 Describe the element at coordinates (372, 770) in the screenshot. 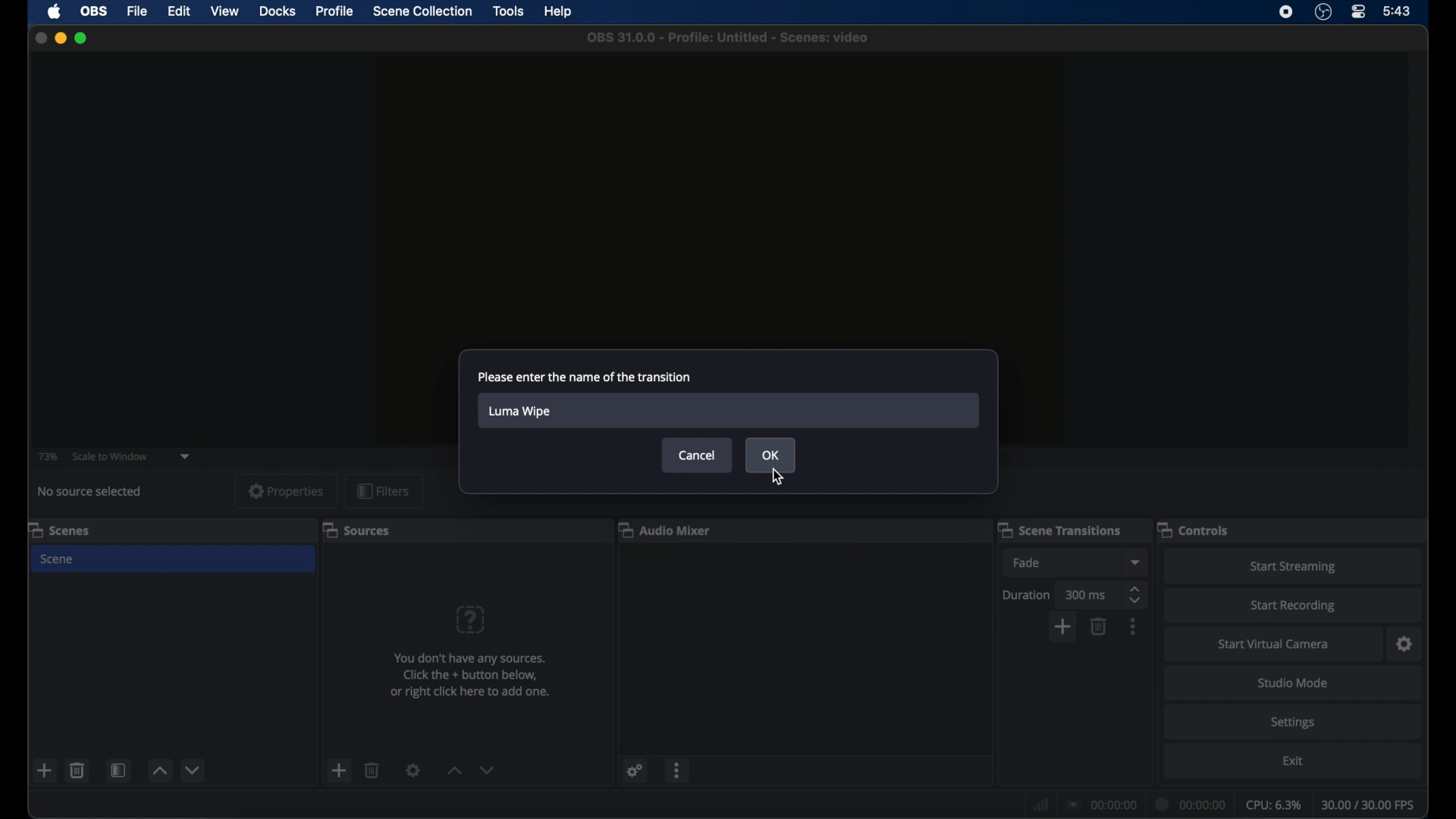

I see `delete` at that location.